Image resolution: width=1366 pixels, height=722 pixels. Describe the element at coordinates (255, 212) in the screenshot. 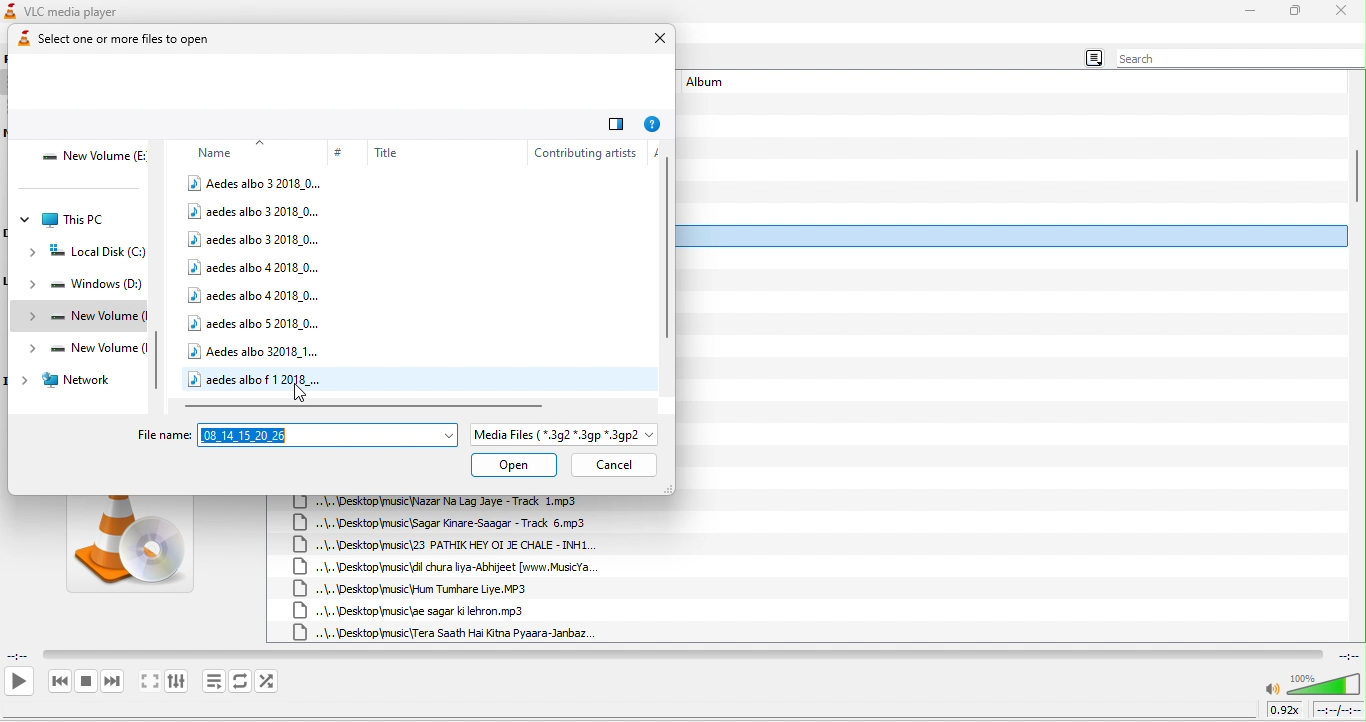

I see `aedes albo 3 2018.0.` at that location.